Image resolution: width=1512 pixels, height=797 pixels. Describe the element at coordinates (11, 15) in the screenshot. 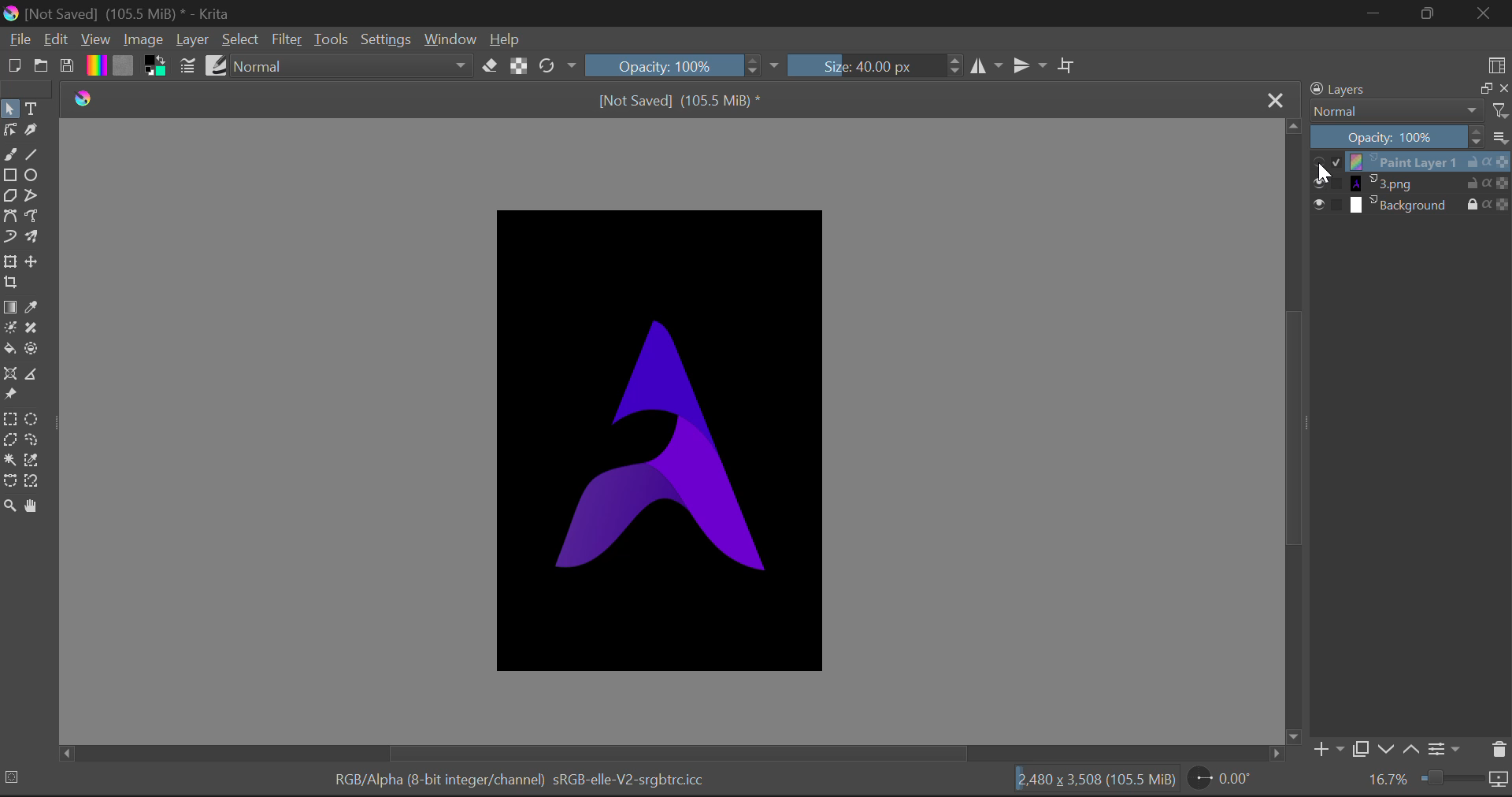

I see `logo` at that location.